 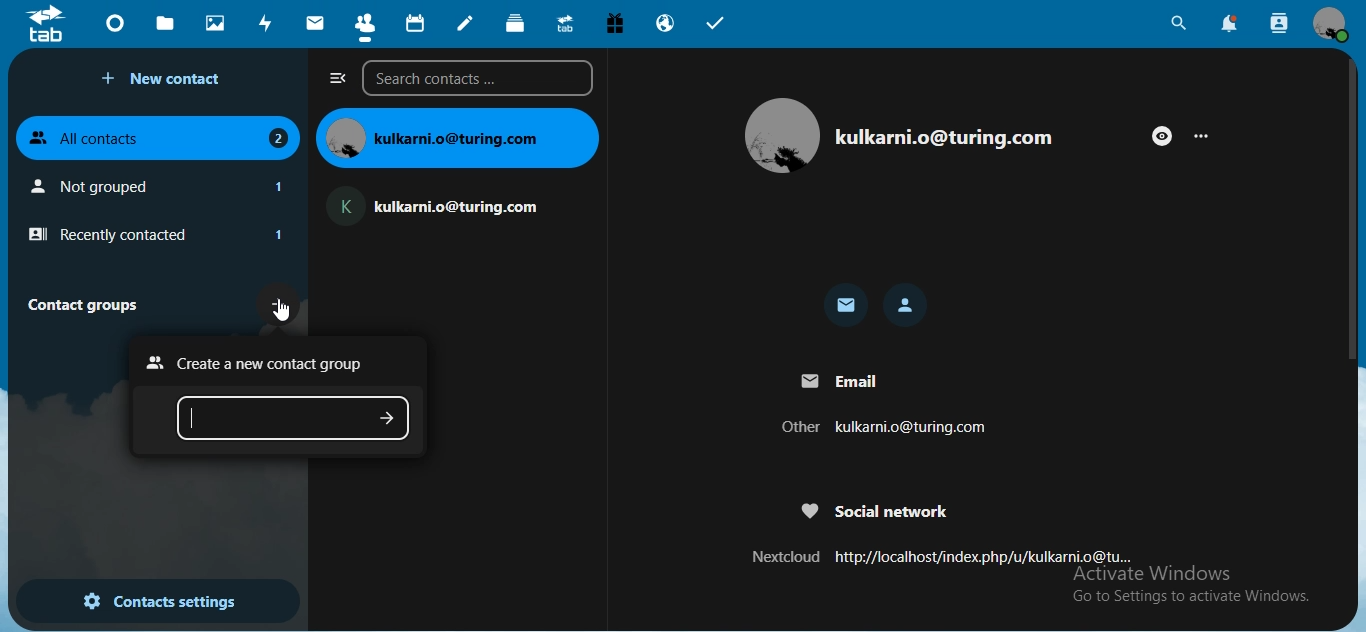 What do you see at coordinates (338, 78) in the screenshot?
I see `close navigation` at bounding box center [338, 78].